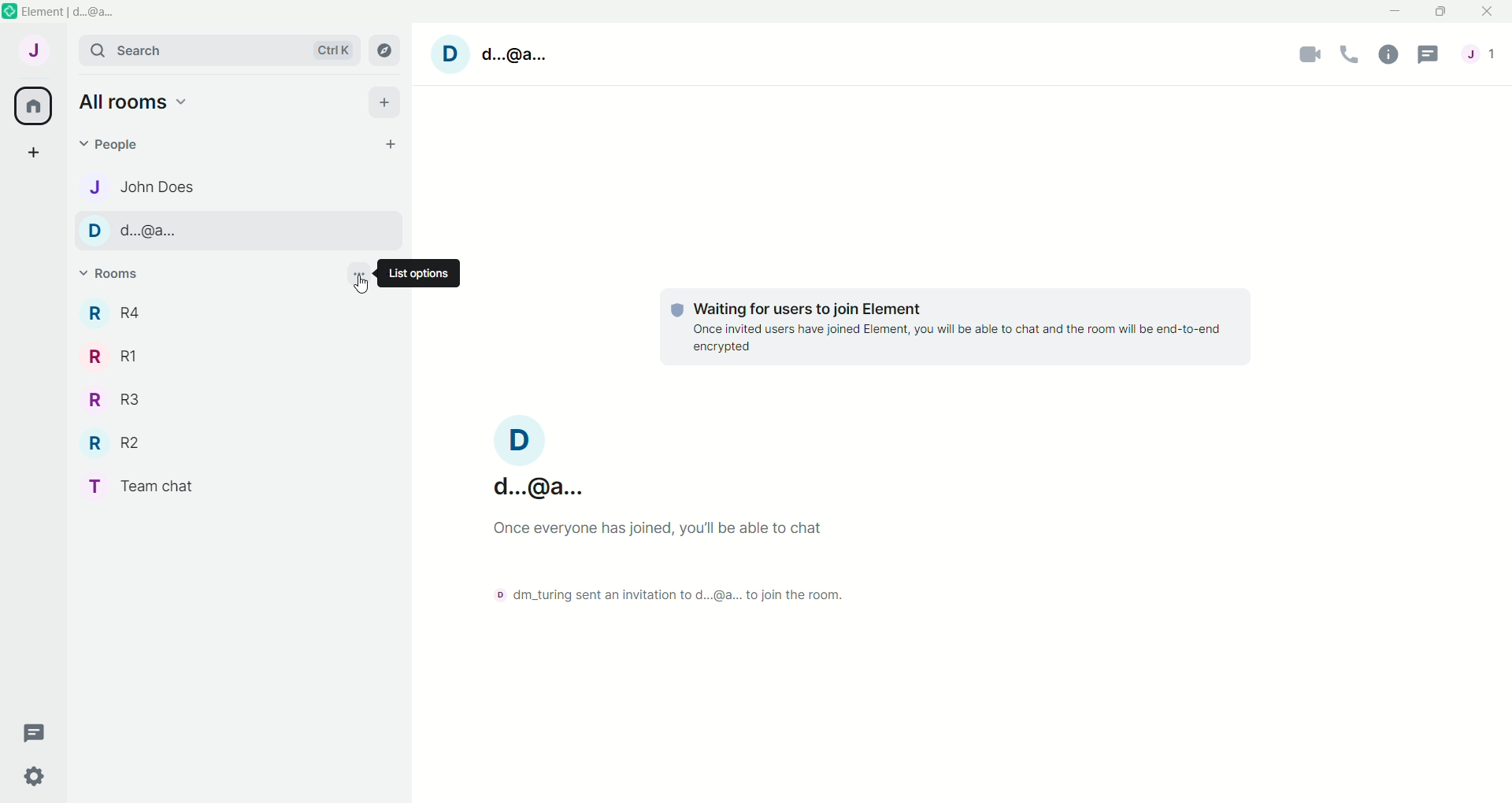 The image size is (1512, 803). Describe the element at coordinates (9, 11) in the screenshot. I see `element icon` at that location.